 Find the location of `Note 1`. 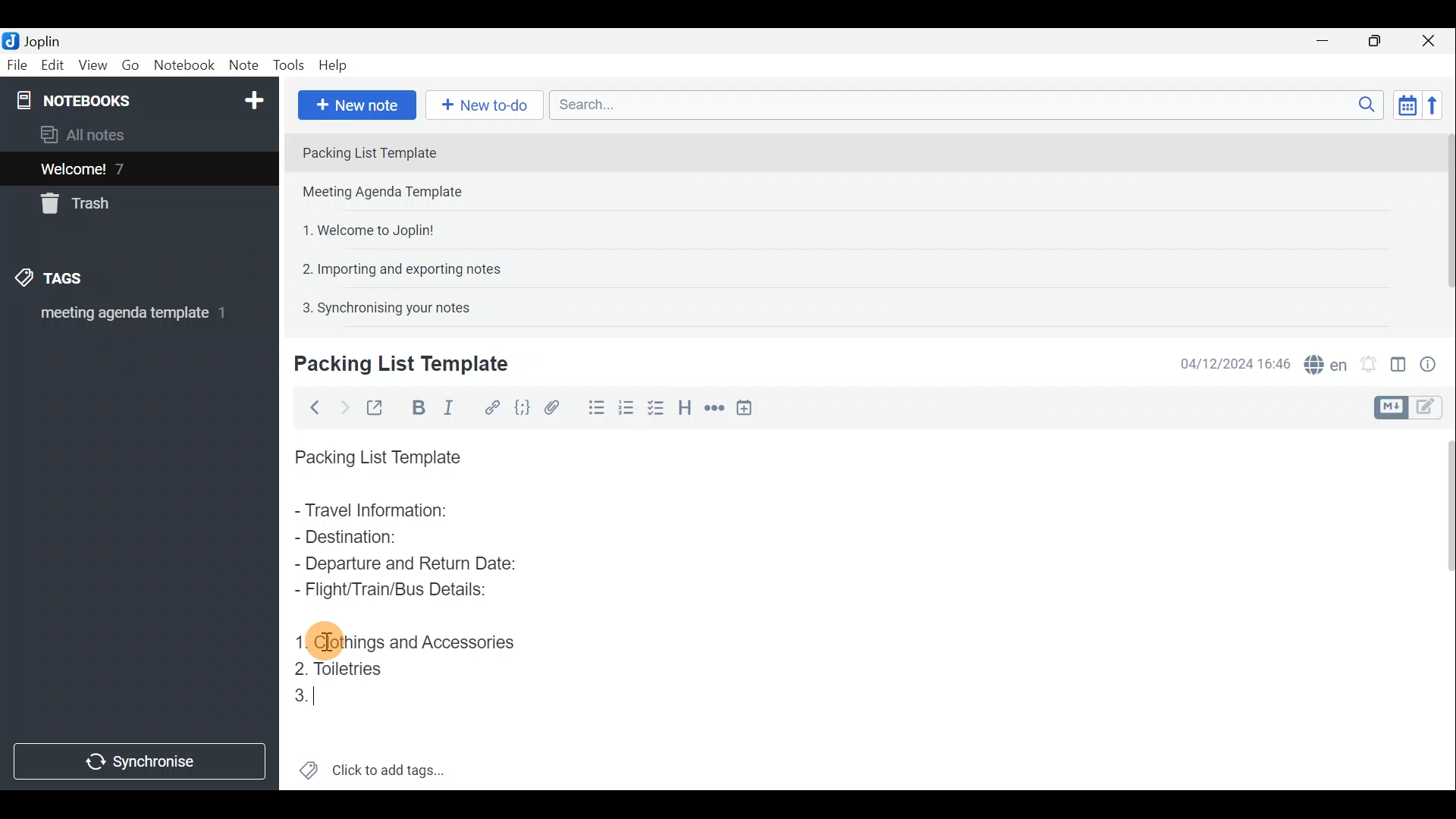

Note 1 is located at coordinates (424, 151).